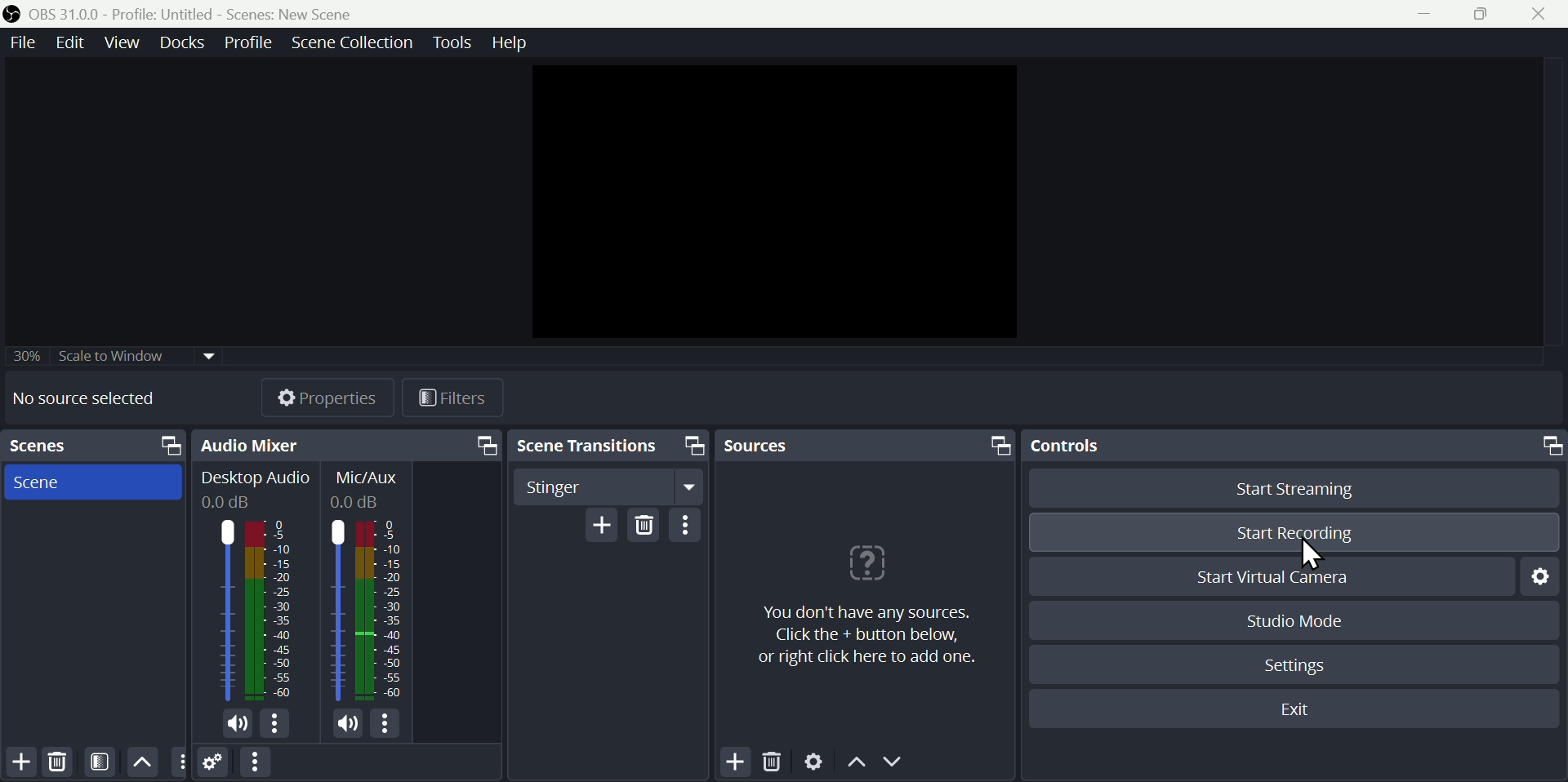 This screenshot has width=1568, height=782. Describe the element at coordinates (1539, 579) in the screenshot. I see `Settings` at that location.